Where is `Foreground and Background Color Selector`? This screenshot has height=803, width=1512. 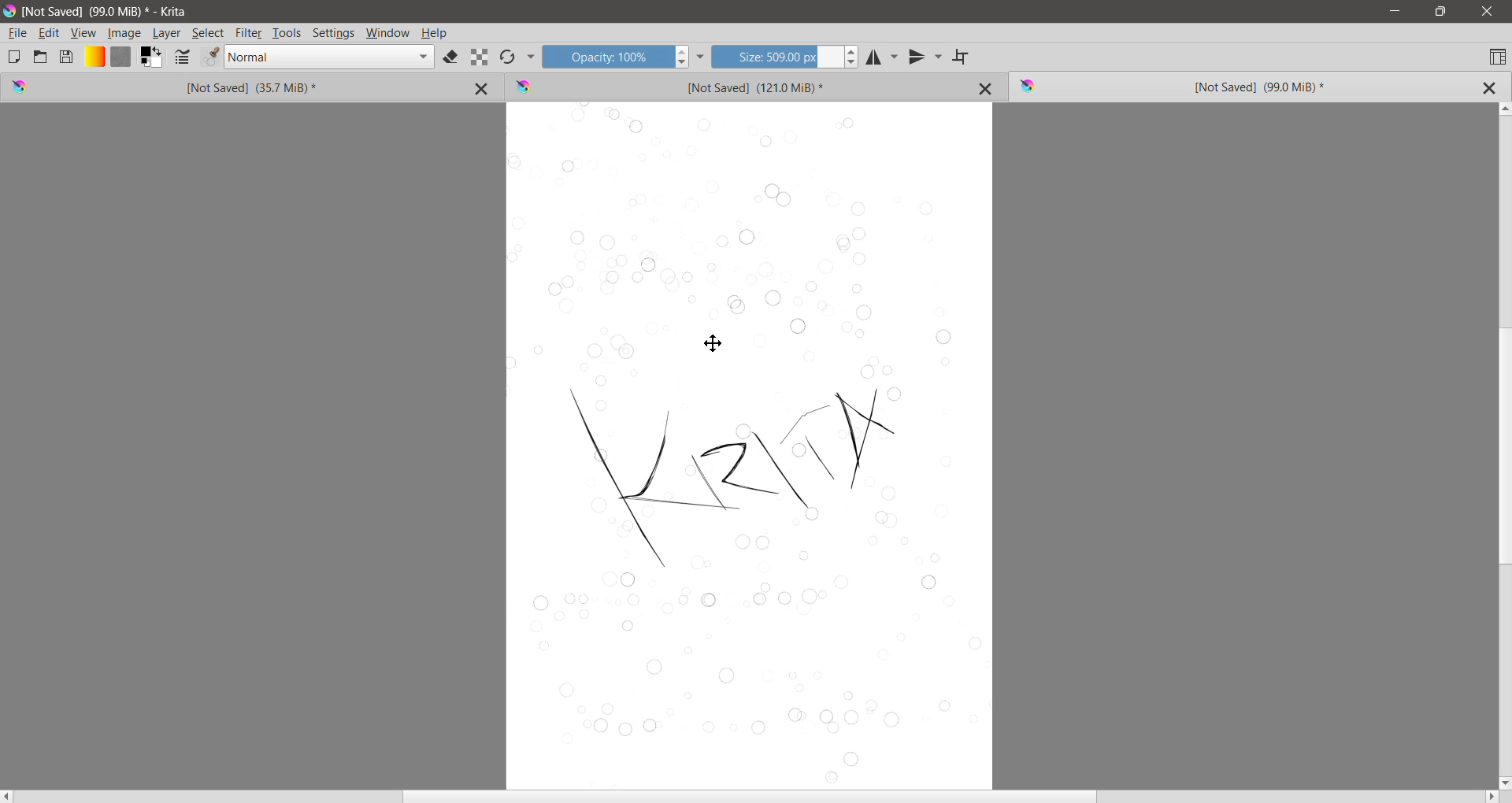
Foreground and Background Color Selector is located at coordinates (152, 57).